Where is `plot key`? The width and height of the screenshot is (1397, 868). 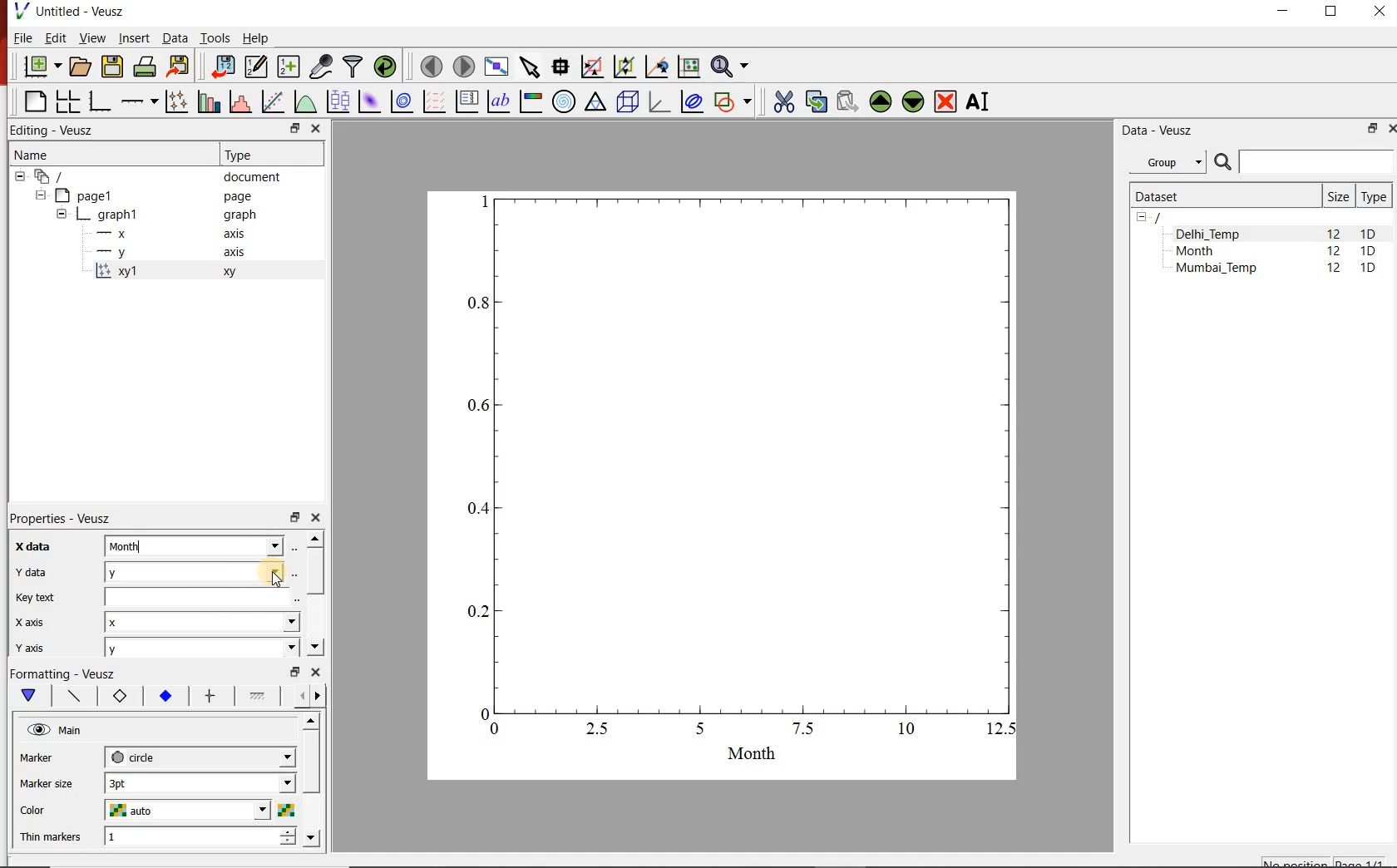 plot key is located at coordinates (466, 102).